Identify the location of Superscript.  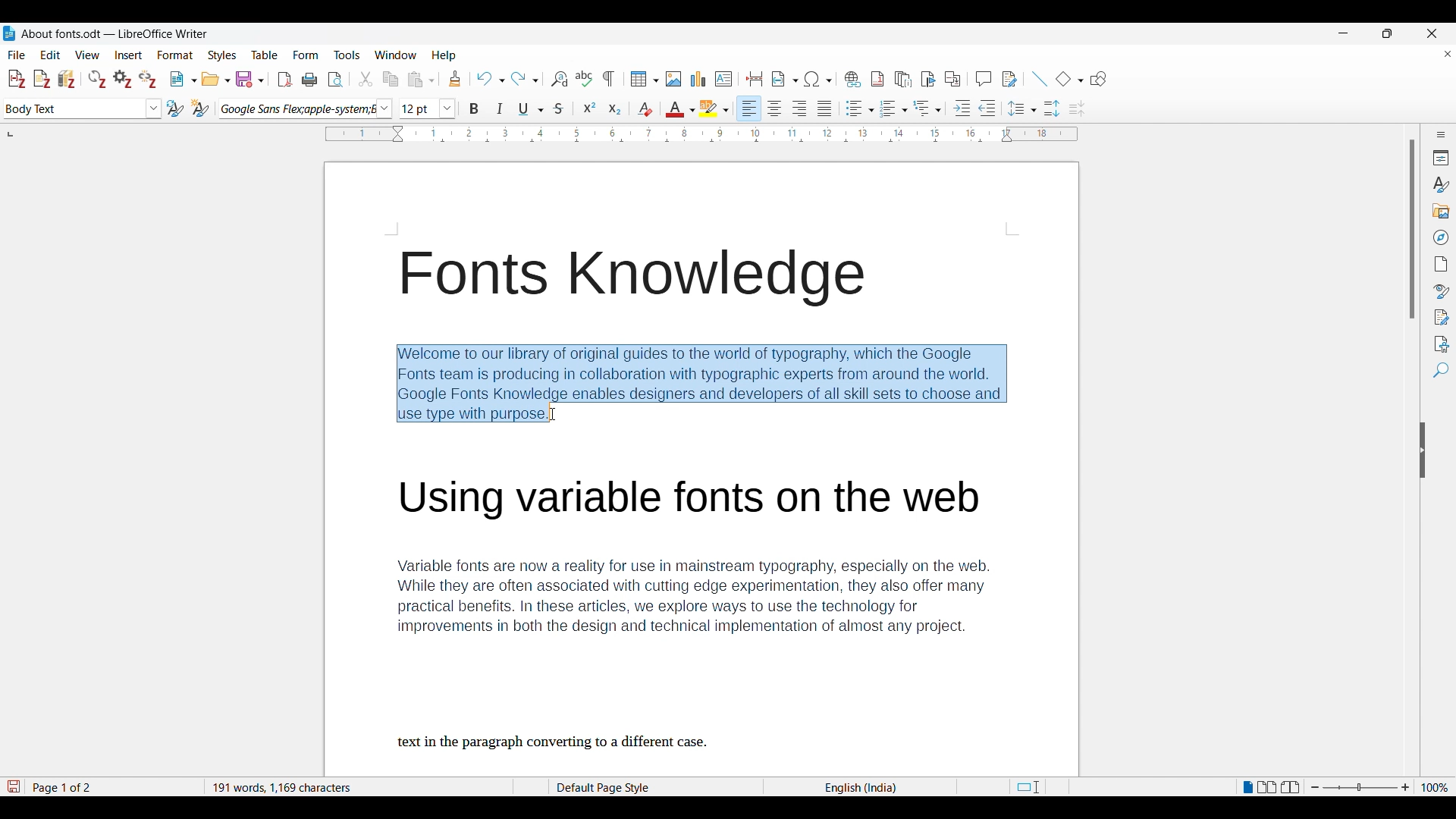
(589, 107).